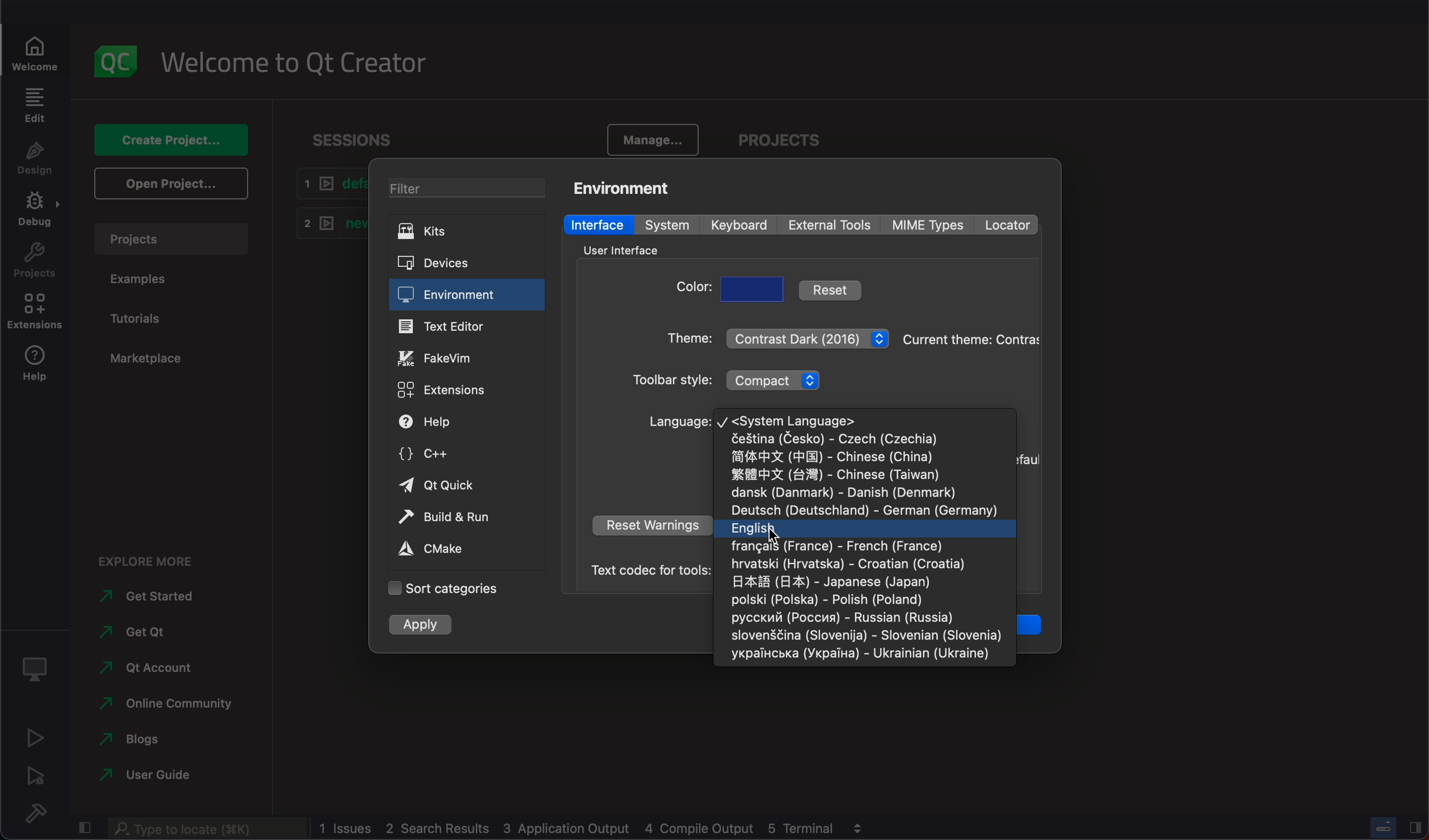 This screenshot has width=1429, height=840. What do you see at coordinates (145, 315) in the screenshot?
I see `tutorials` at bounding box center [145, 315].